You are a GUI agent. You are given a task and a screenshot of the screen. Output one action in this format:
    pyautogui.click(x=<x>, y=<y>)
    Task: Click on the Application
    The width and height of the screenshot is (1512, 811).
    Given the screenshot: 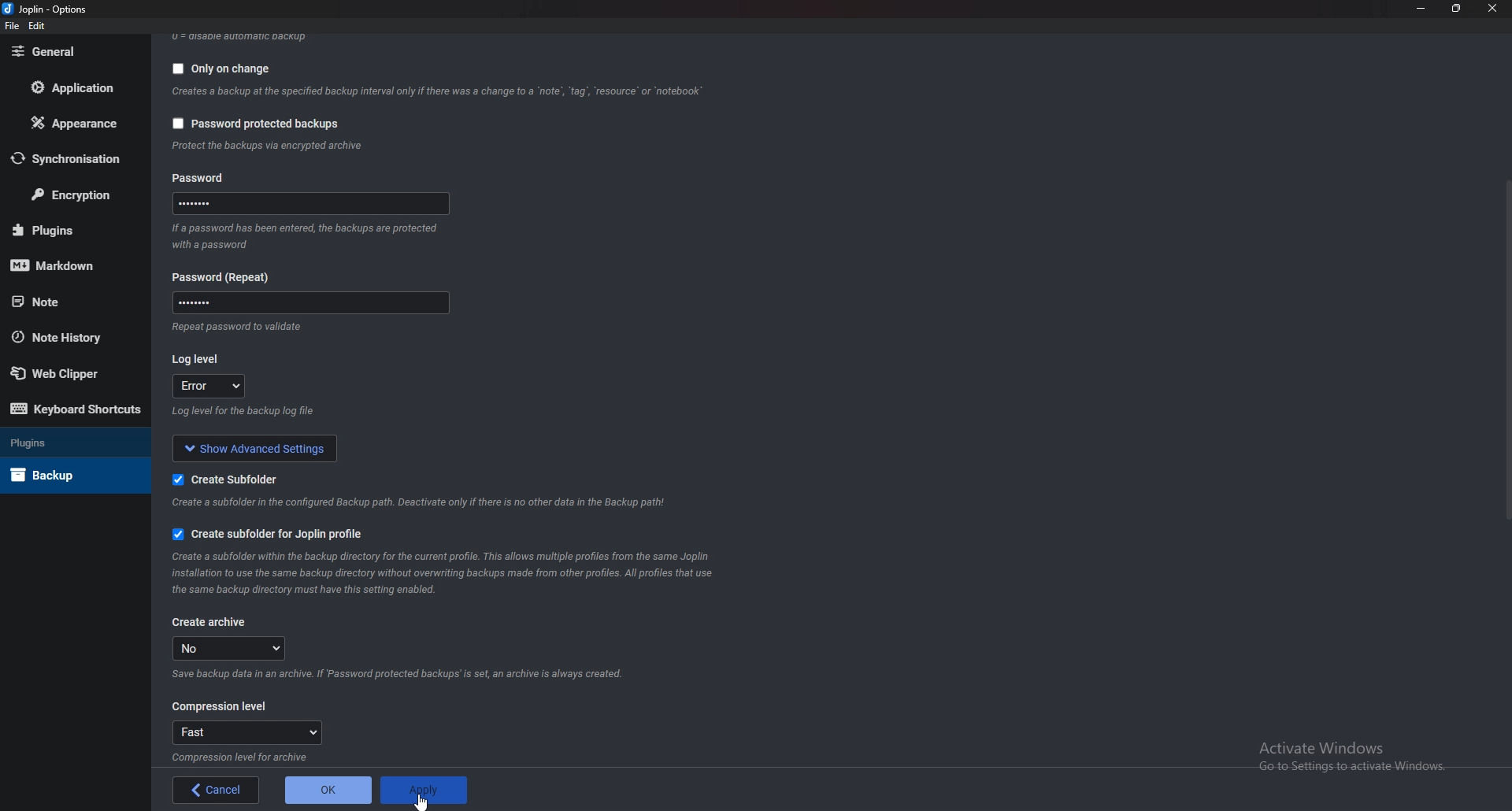 What is the action you would take?
    pyautogui.click(x=80, y=87)
    